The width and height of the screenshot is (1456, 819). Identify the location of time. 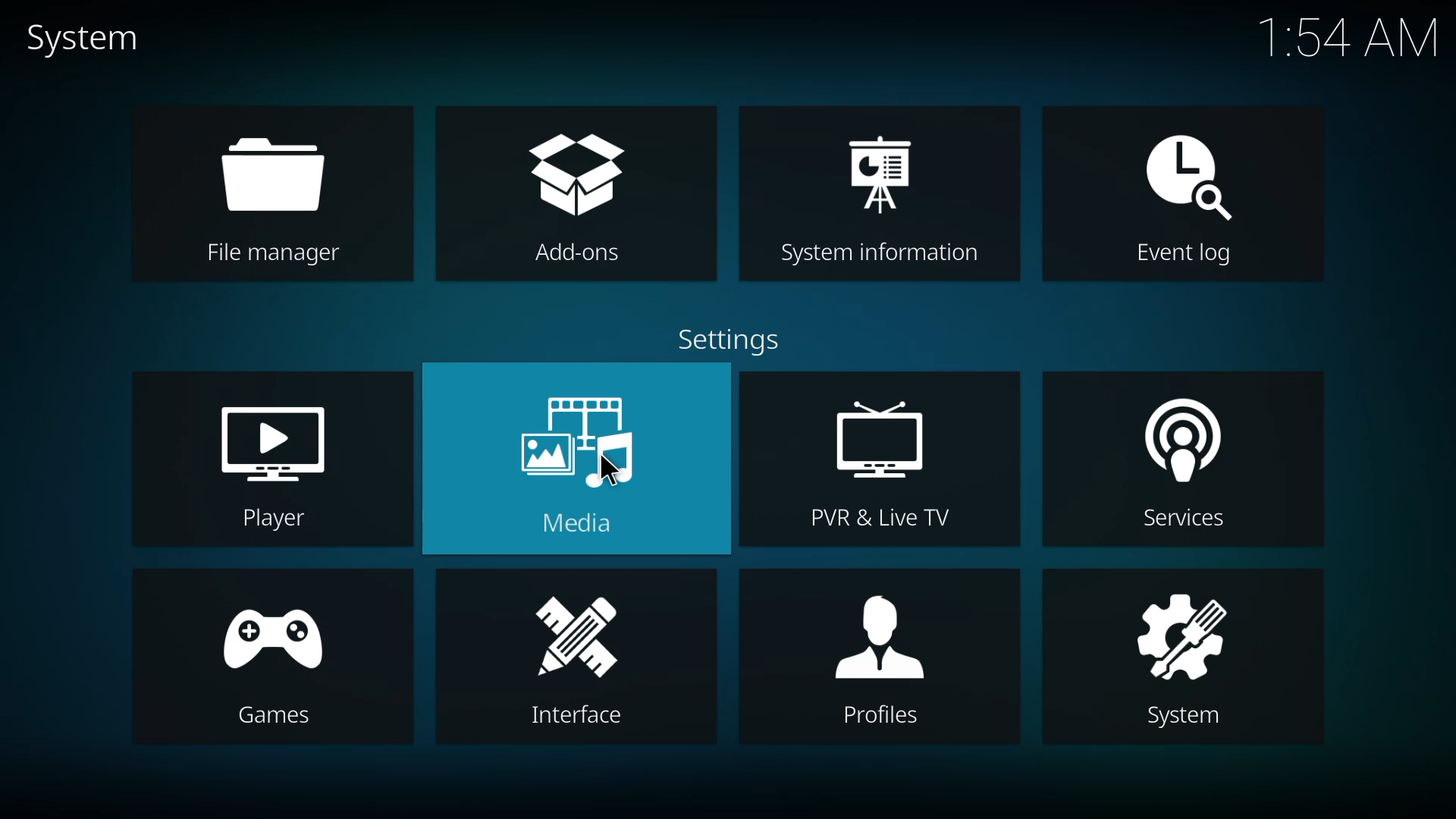
(1350, 39).